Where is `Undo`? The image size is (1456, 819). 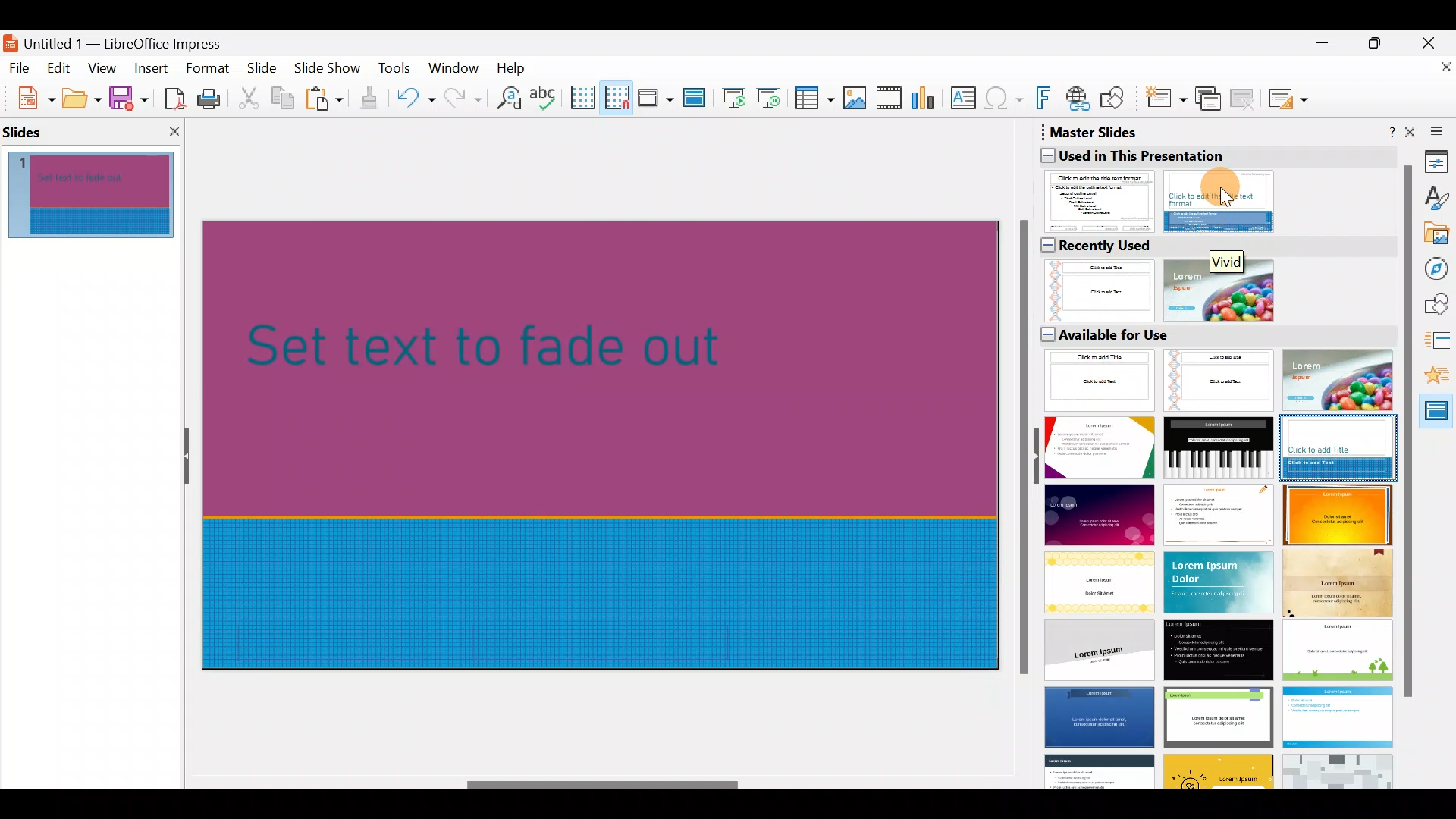 Undo is located at coordinates (416, 101).